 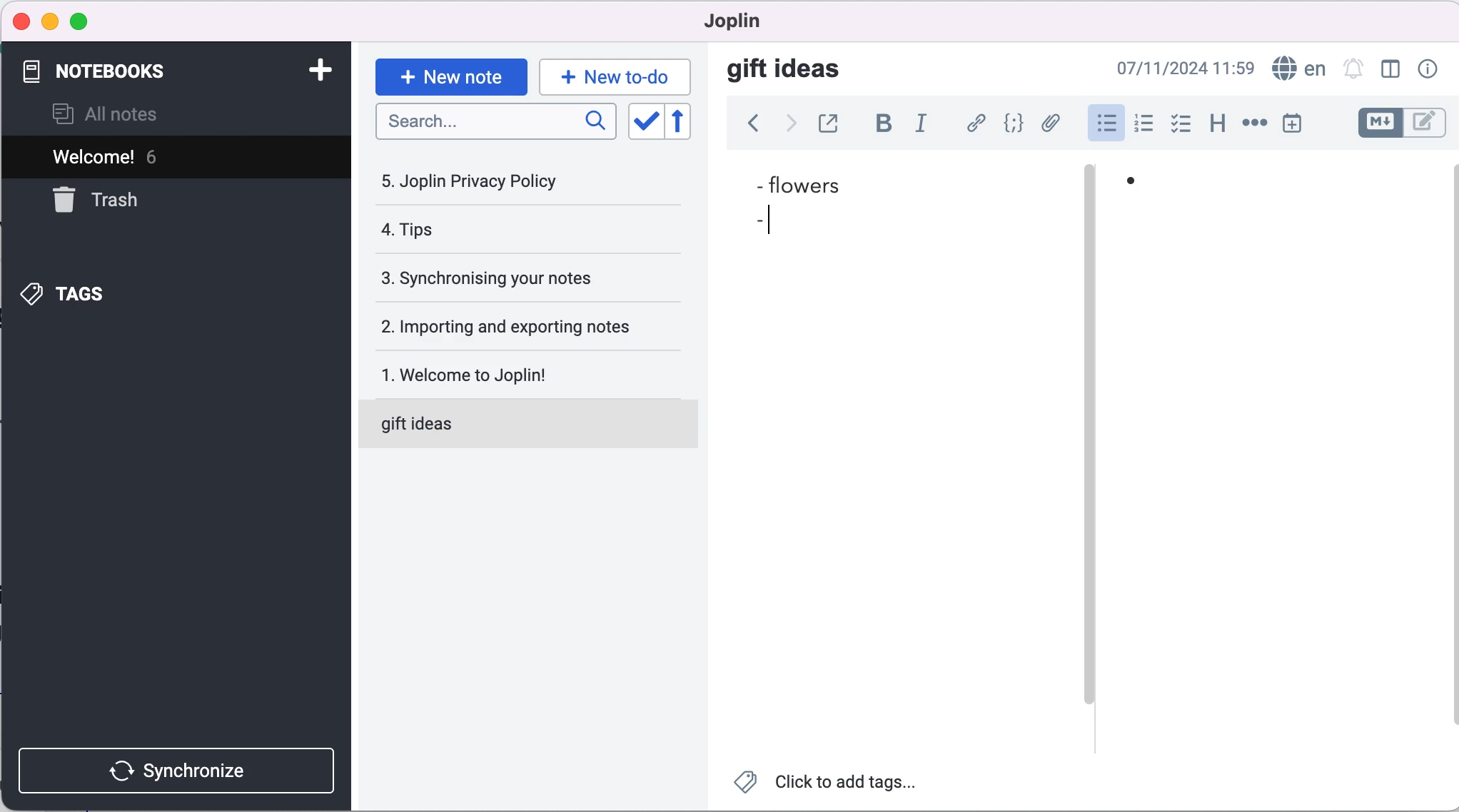 What do you see at coordinates (1353, 70) in the screenshot?
I see `set alarm` at bounding box center [1353, 70].